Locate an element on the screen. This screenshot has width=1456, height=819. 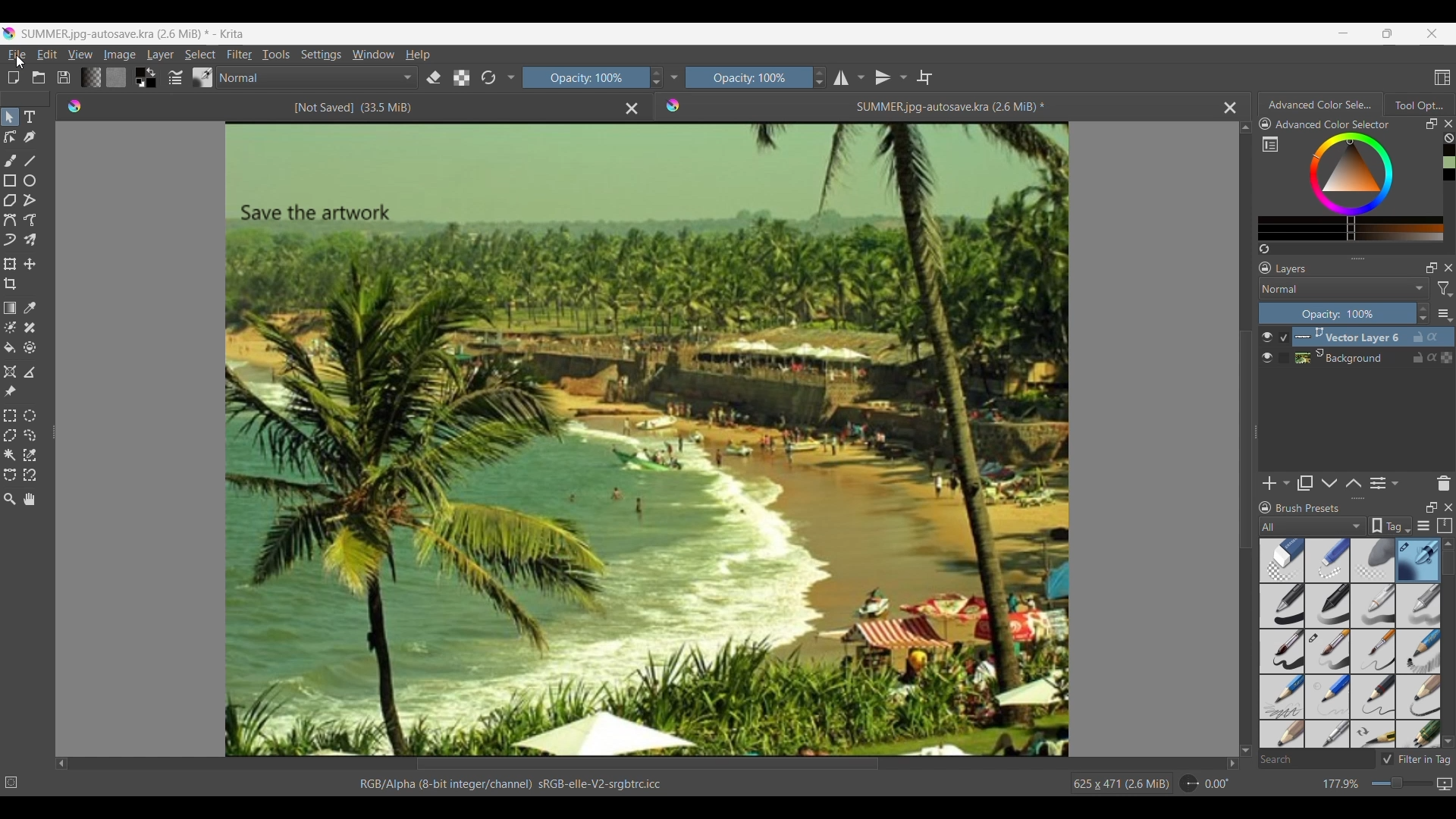
Tab 2, unselected is located at coordinates (1418, 105).